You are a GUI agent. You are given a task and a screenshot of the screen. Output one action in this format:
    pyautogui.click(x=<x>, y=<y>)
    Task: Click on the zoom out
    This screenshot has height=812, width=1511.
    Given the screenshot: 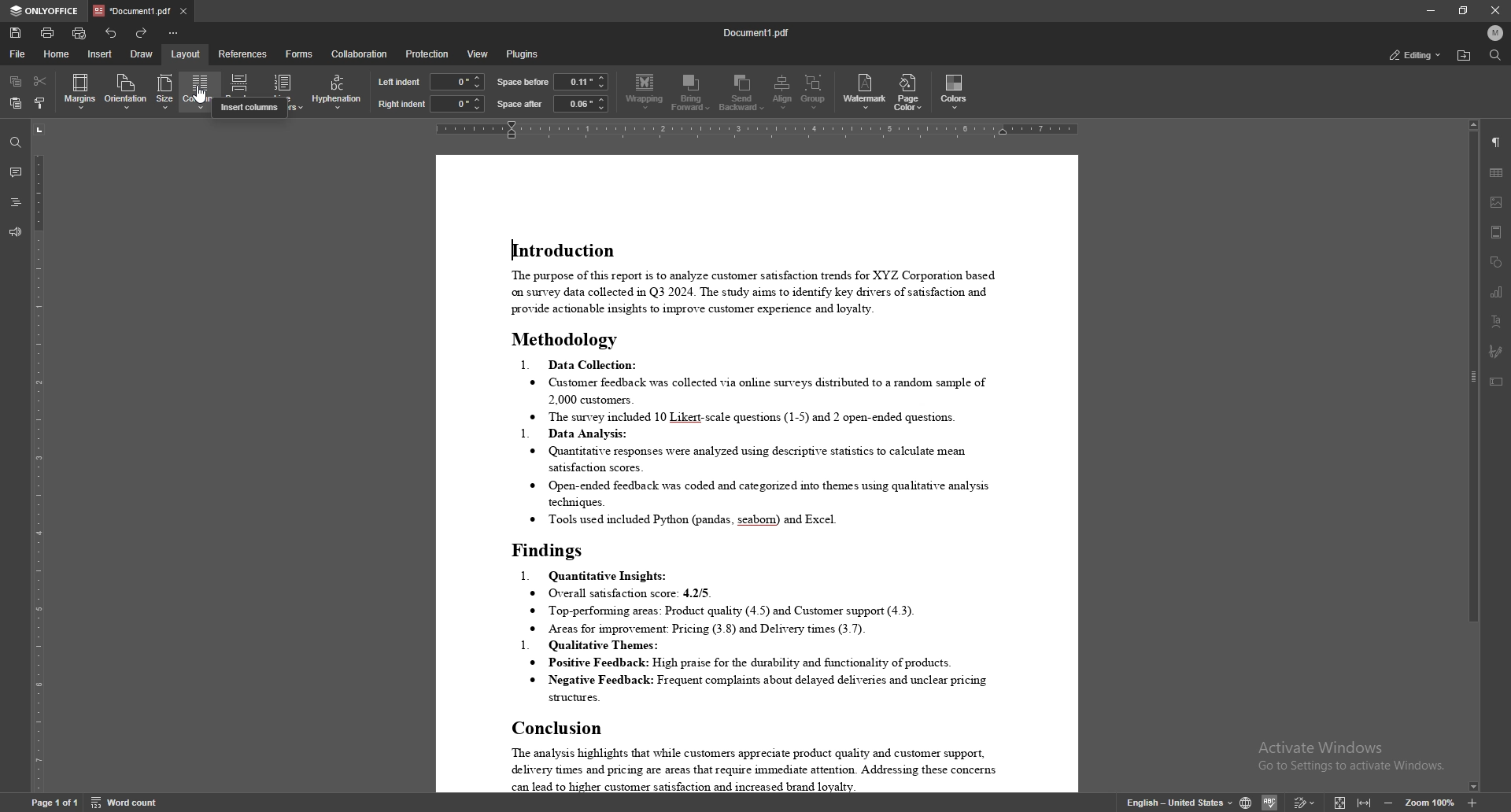 What is the action you would take?
    pyautogui.click(x=1391, y=801)
    